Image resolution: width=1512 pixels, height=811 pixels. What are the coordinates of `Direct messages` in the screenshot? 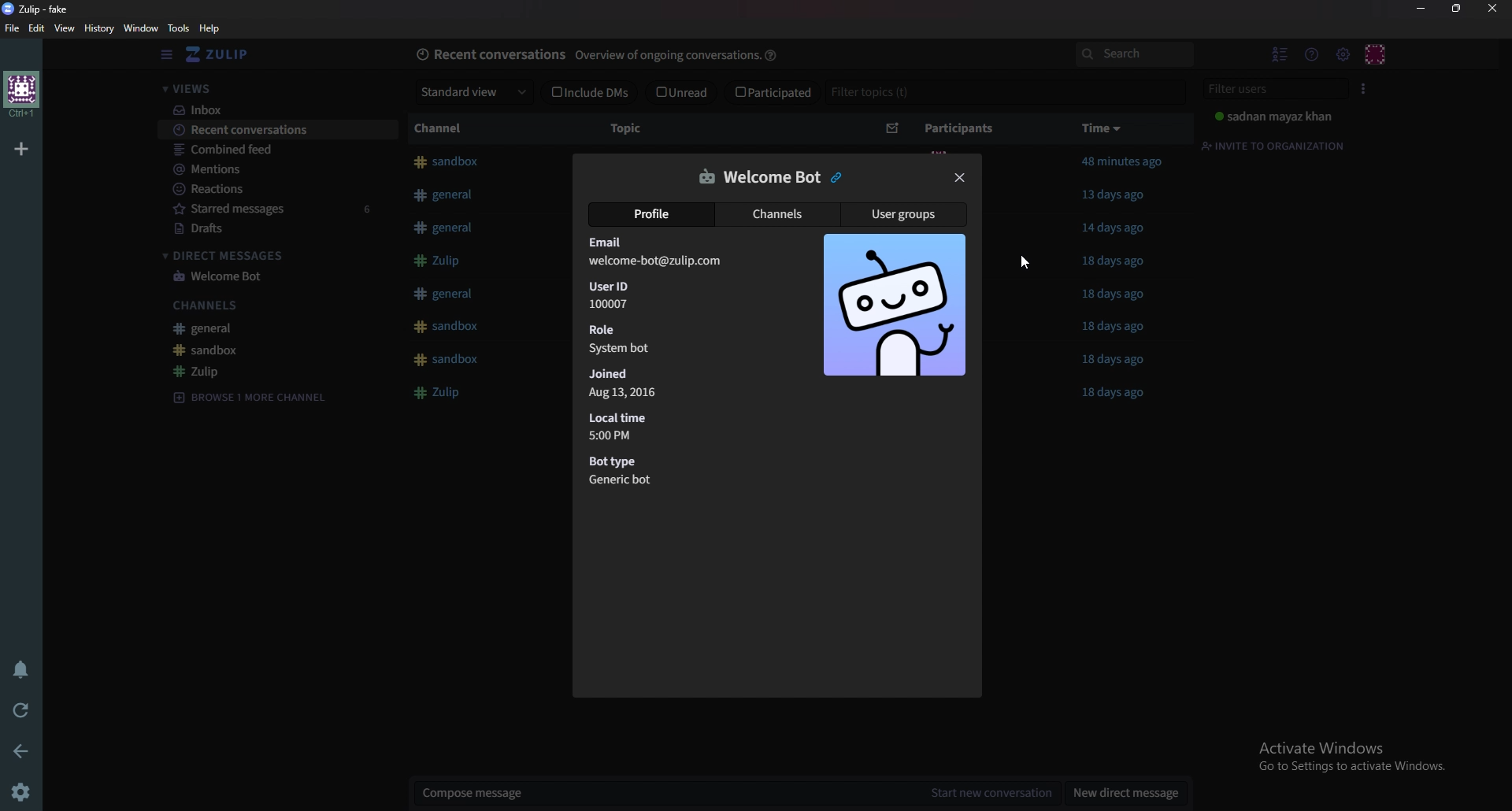 It's located at (273, 255).